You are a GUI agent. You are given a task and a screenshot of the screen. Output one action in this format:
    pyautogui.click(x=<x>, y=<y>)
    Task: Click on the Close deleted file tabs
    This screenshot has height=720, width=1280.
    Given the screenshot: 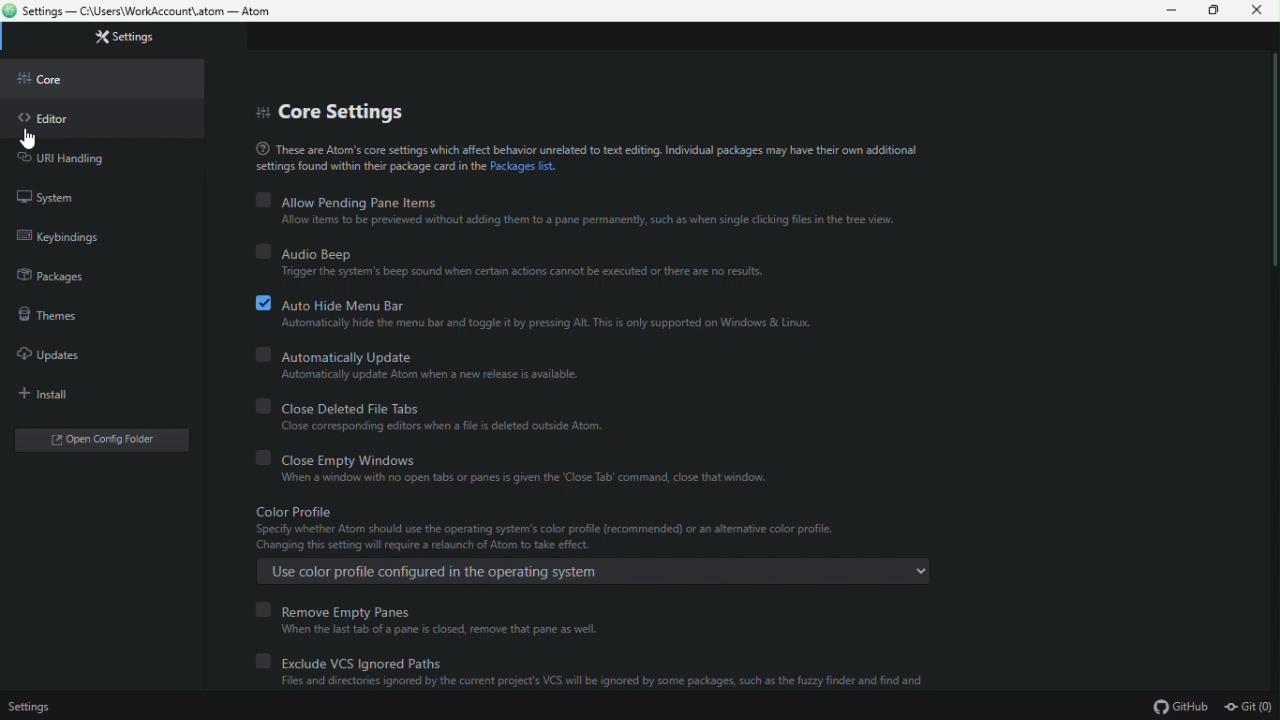 What is the action you would take?
    pyautogui.click(x=455, y=407)
    